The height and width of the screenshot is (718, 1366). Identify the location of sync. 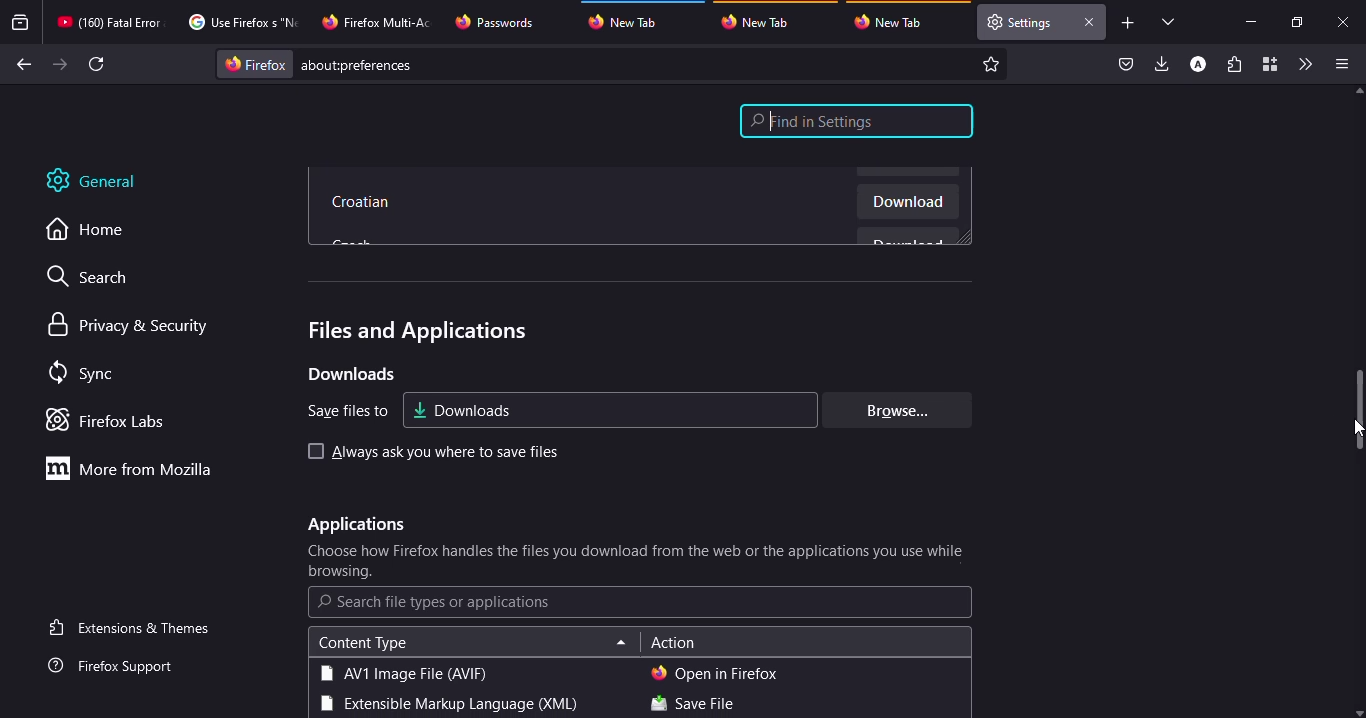
(85, 374).